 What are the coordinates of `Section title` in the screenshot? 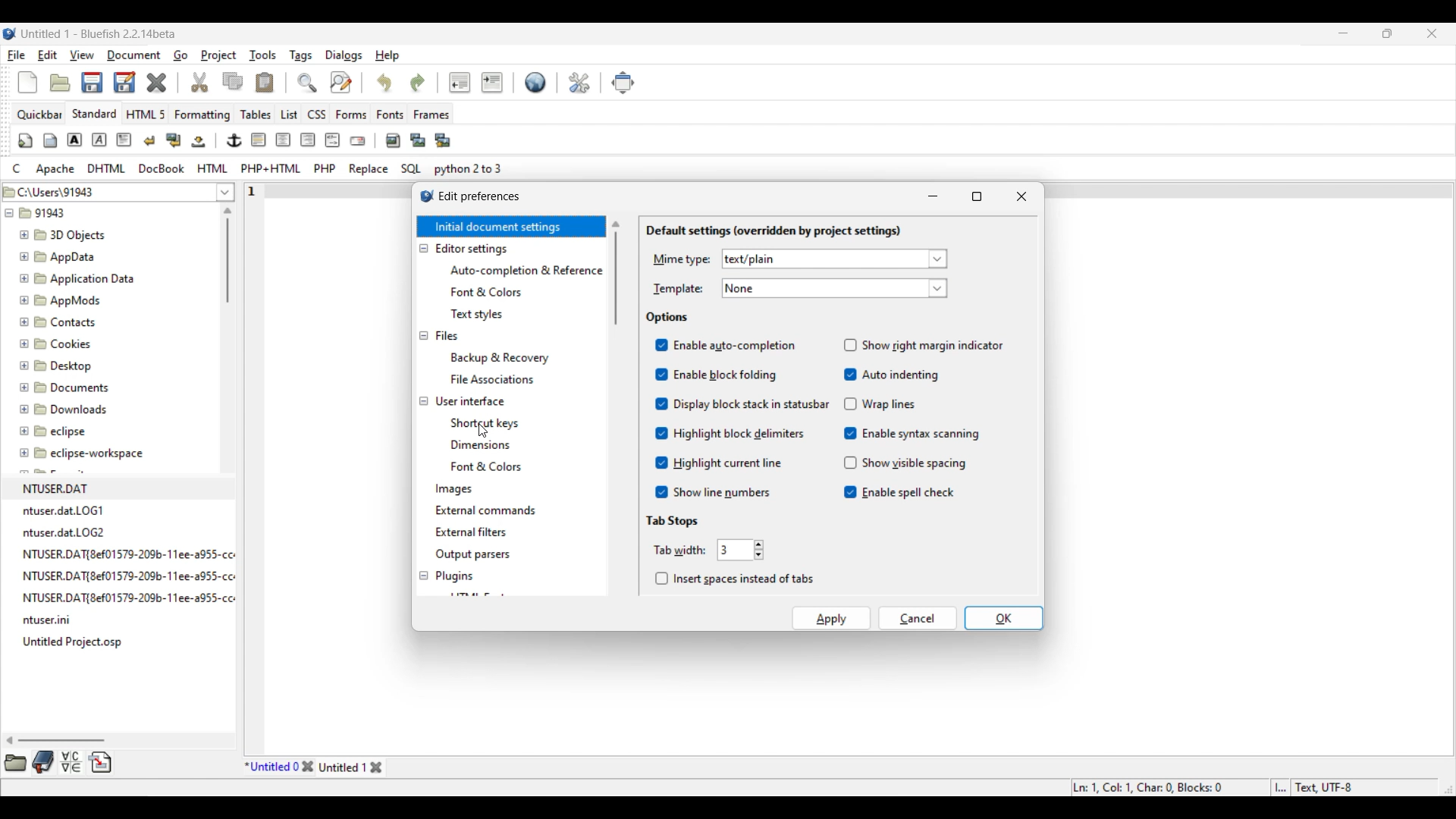 It's located at (674, 521).